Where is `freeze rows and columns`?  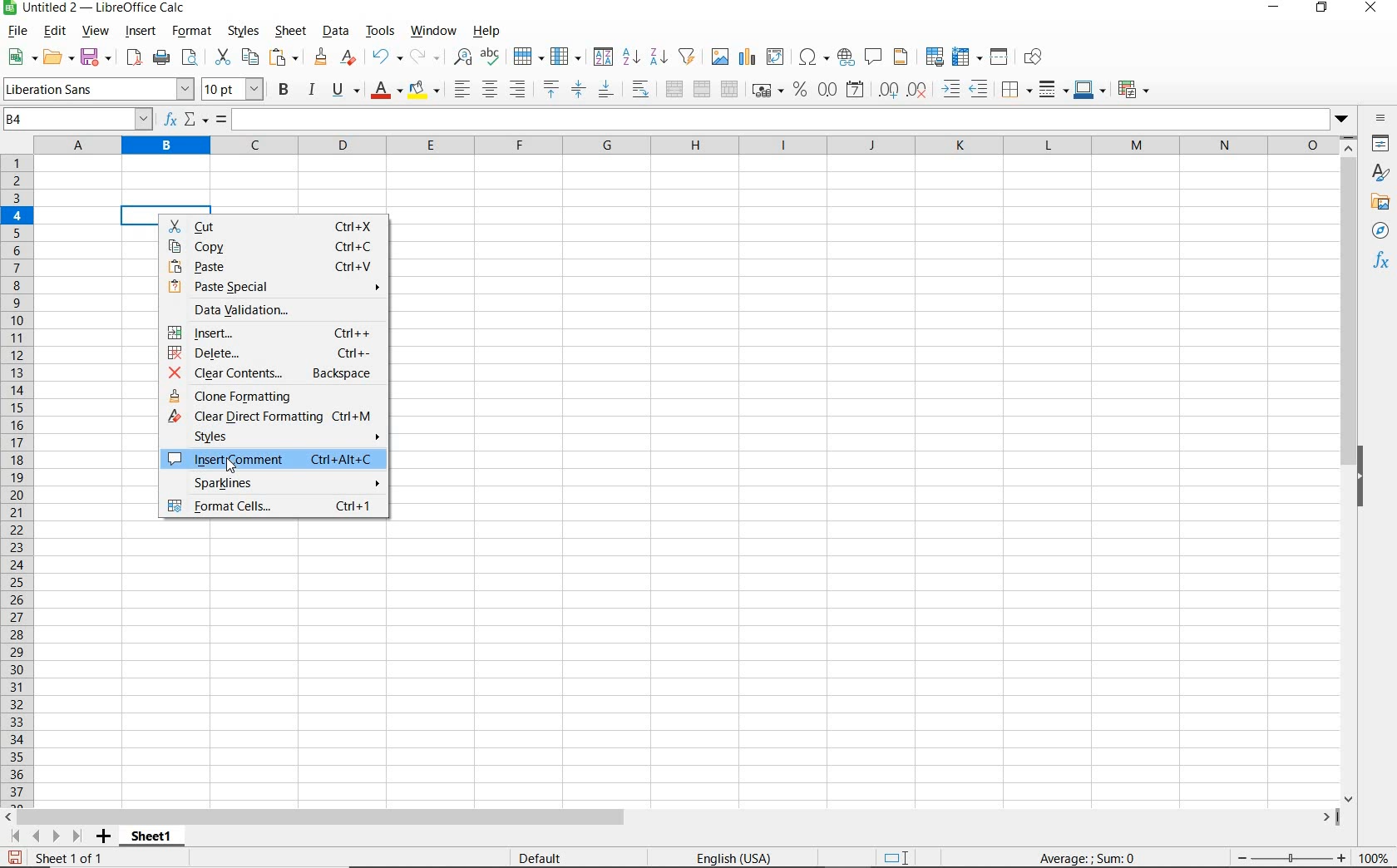 freeze rows and columns is located at coordinates (967, 57).